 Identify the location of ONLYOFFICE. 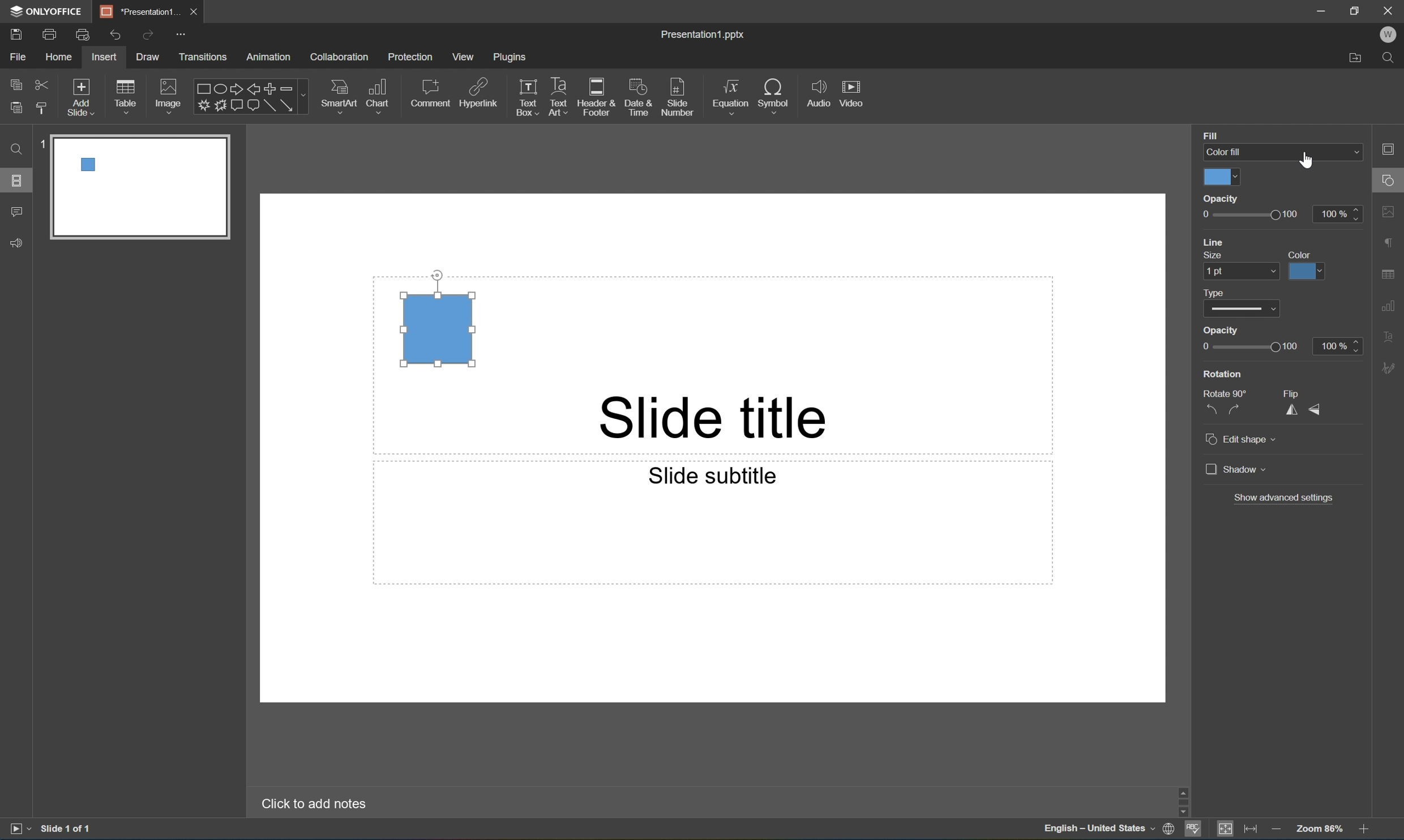
(48, 11).